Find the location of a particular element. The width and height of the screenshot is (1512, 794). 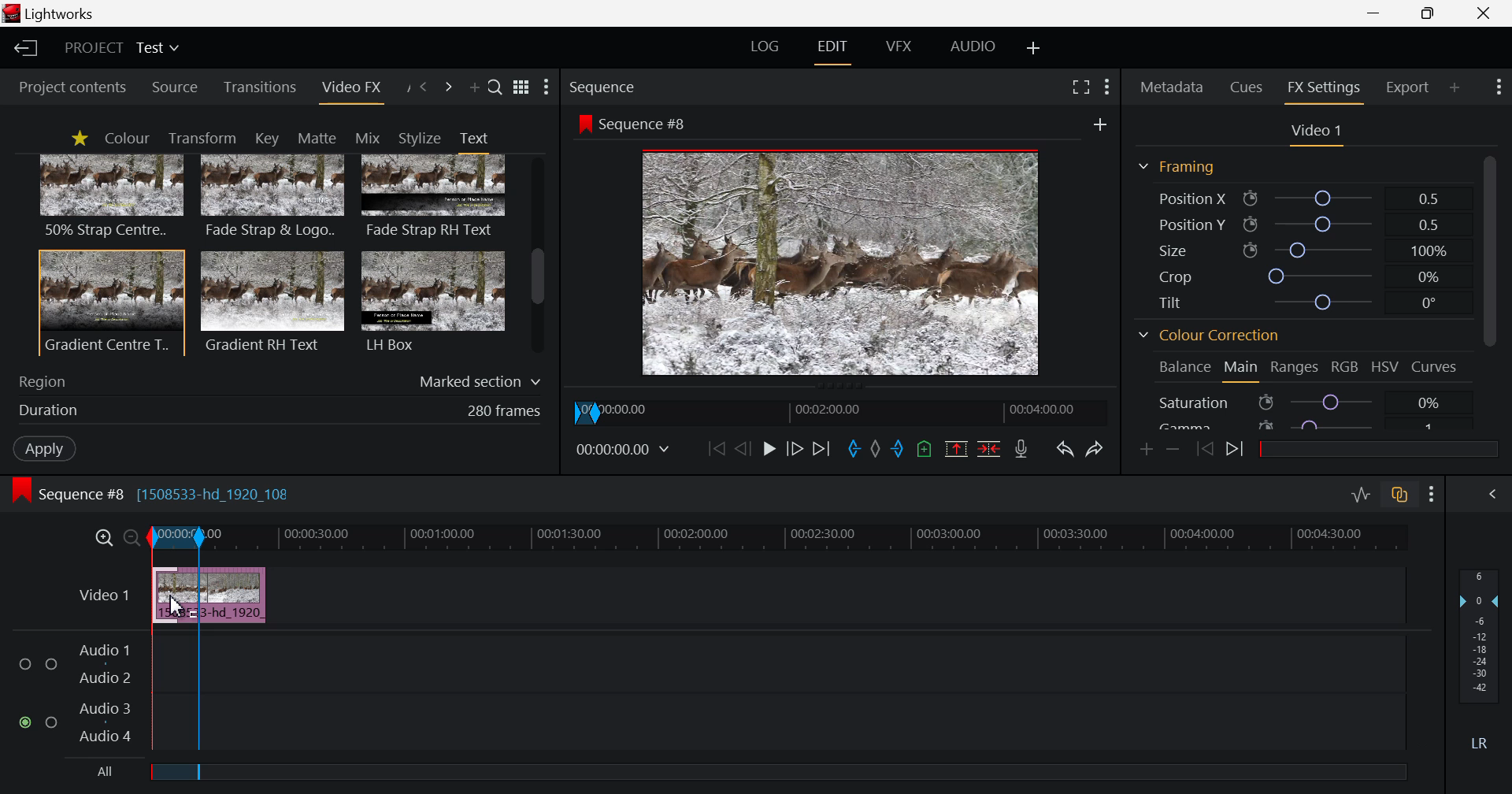

Show Settings is located at coordinates (547, 88).